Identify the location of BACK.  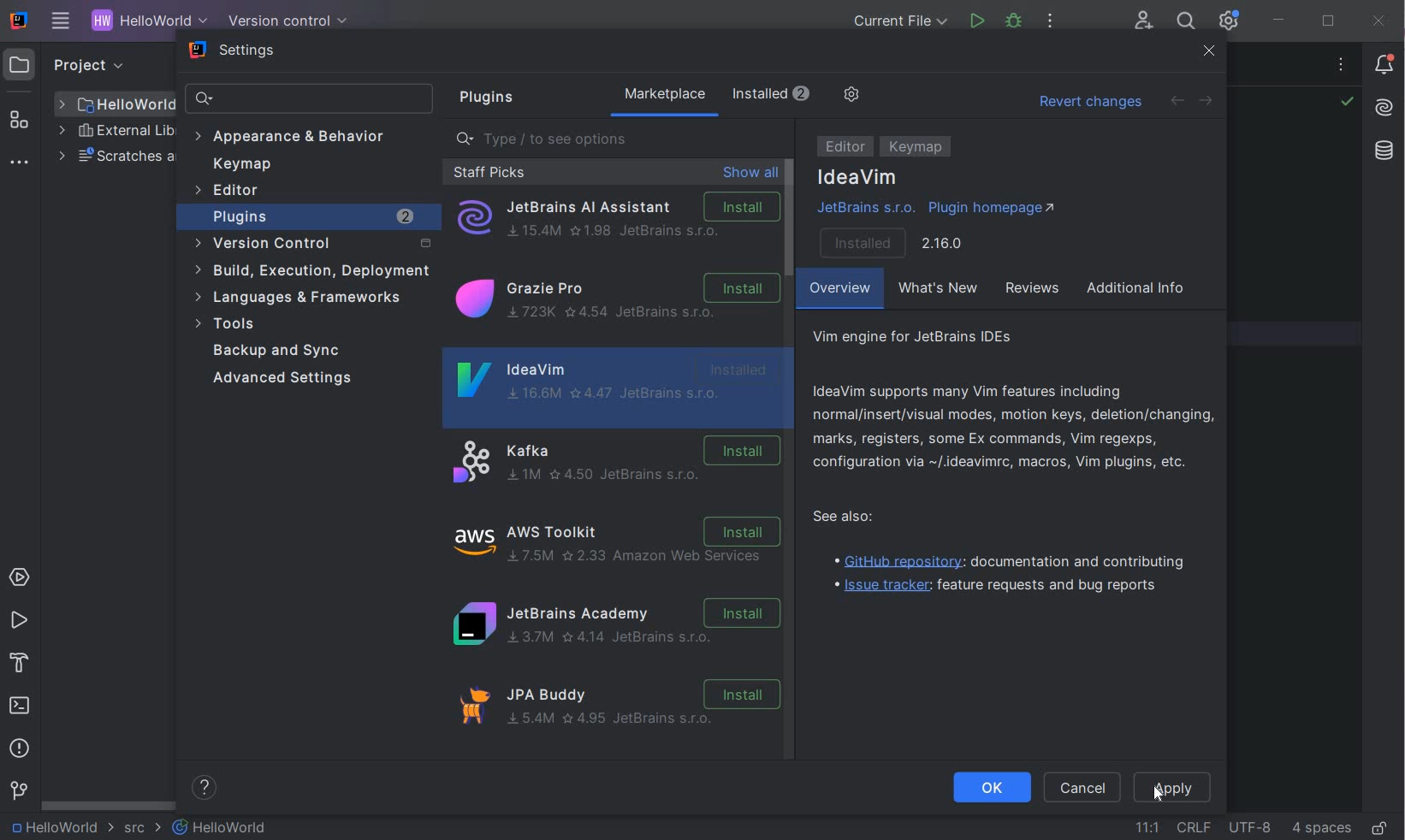
(1177, 100).